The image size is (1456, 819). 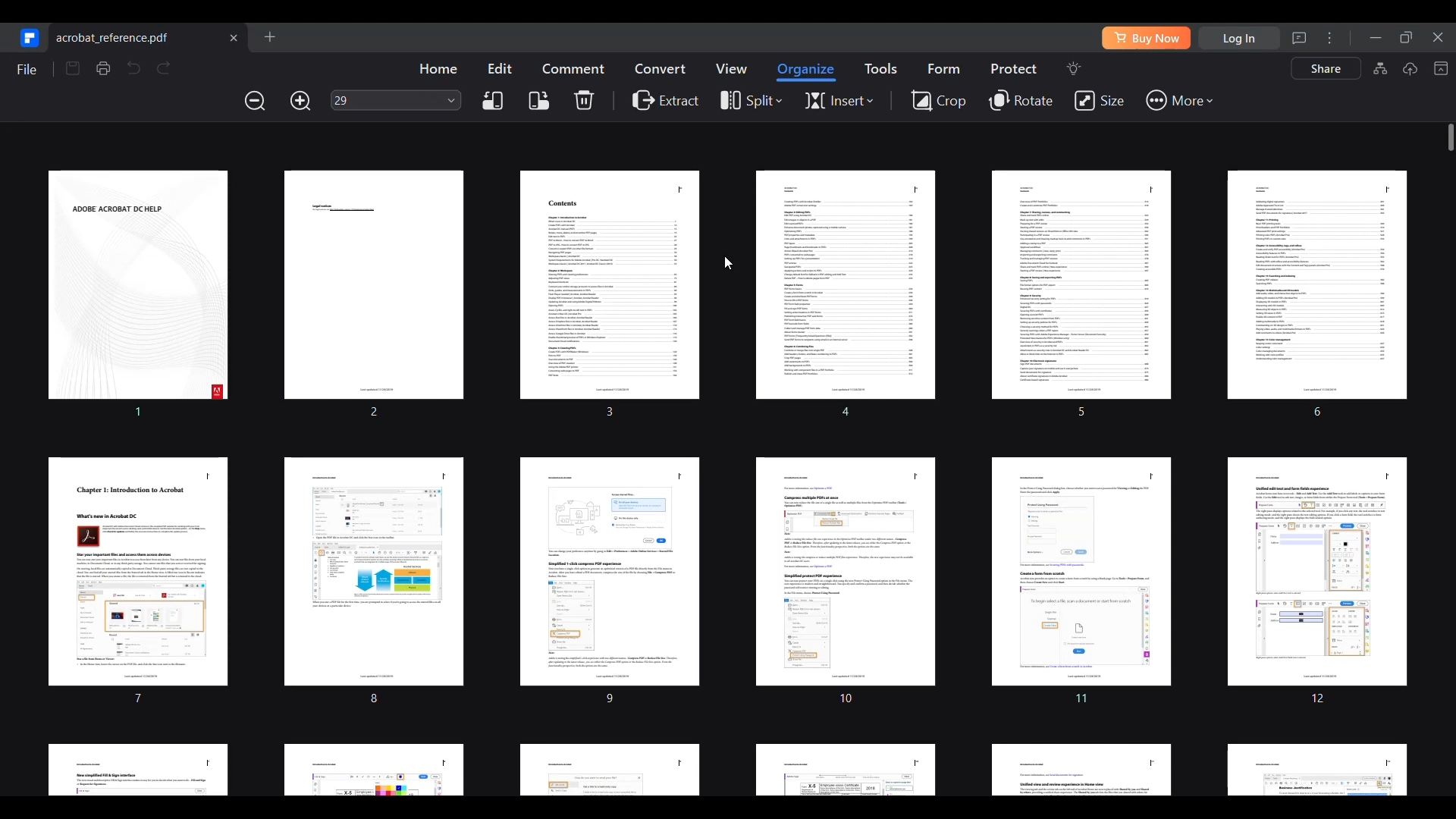 What do you see at coordinates (584, 99) in the screenshot?
I see `Delete` at bounding box center [584, 99].